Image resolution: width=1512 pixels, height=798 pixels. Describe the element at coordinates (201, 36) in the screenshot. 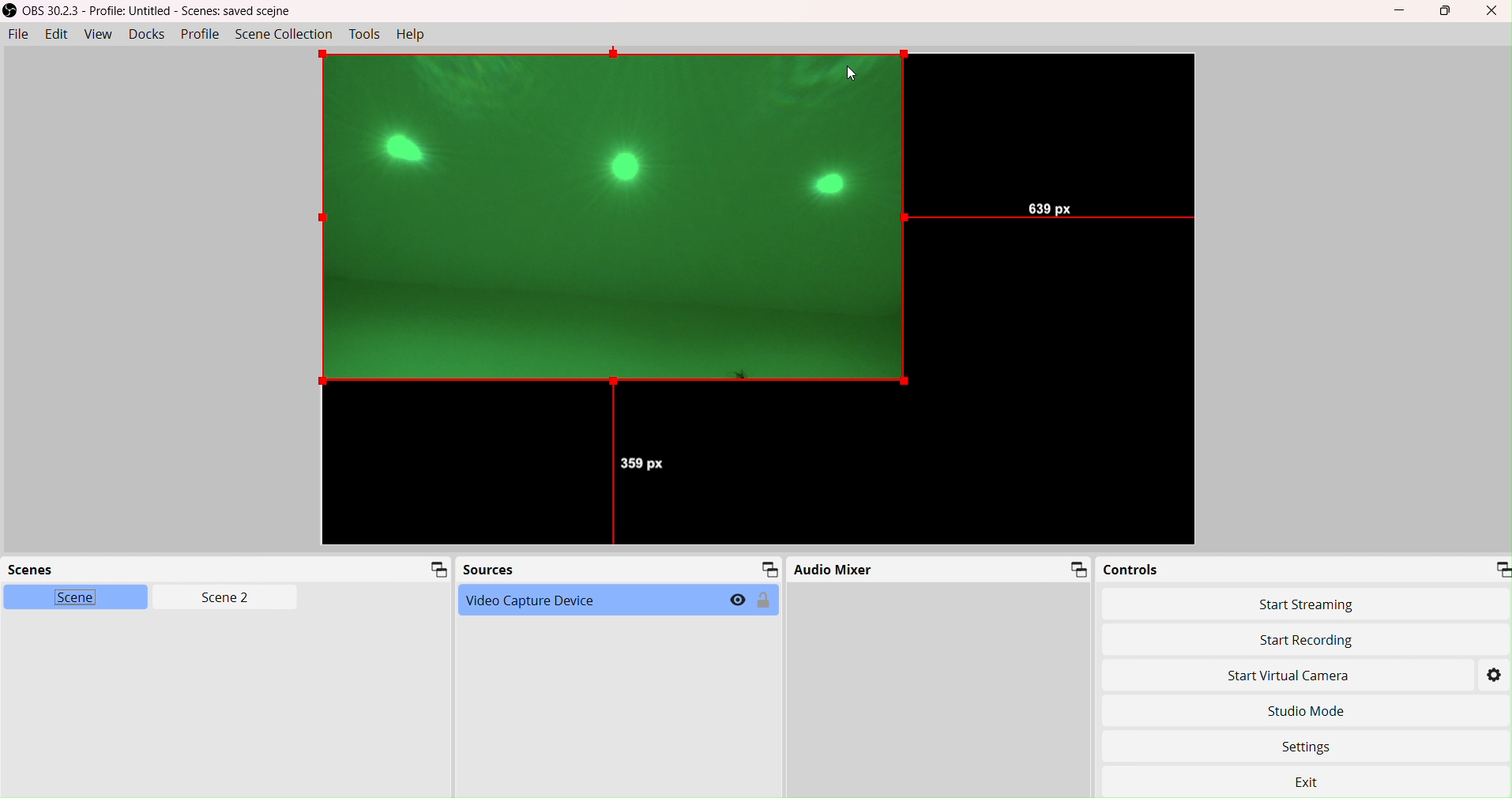

I see `Profile` at that location.